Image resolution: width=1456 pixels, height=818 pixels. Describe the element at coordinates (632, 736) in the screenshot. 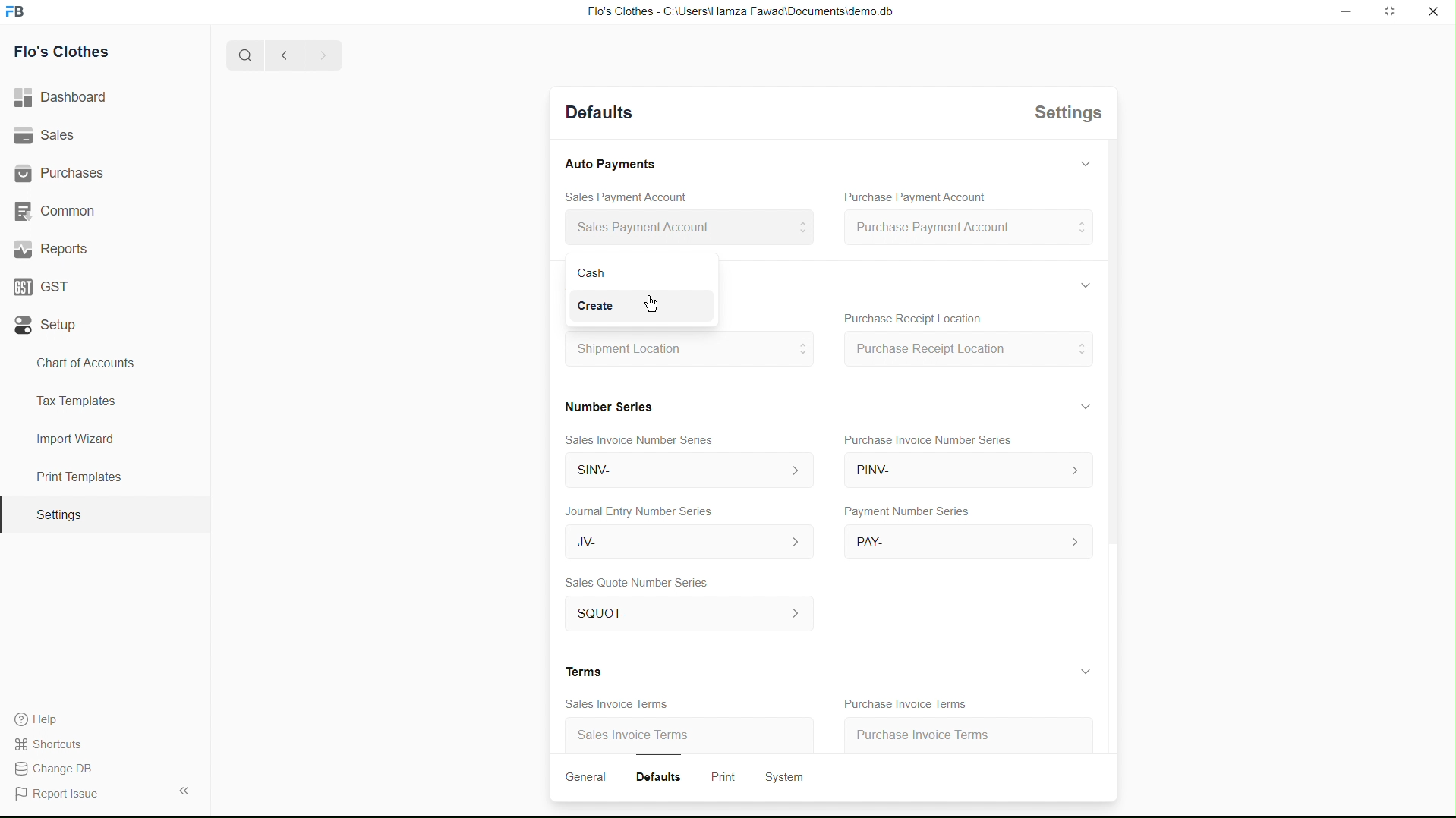

I see `Sales Invoice Terms` at that location.